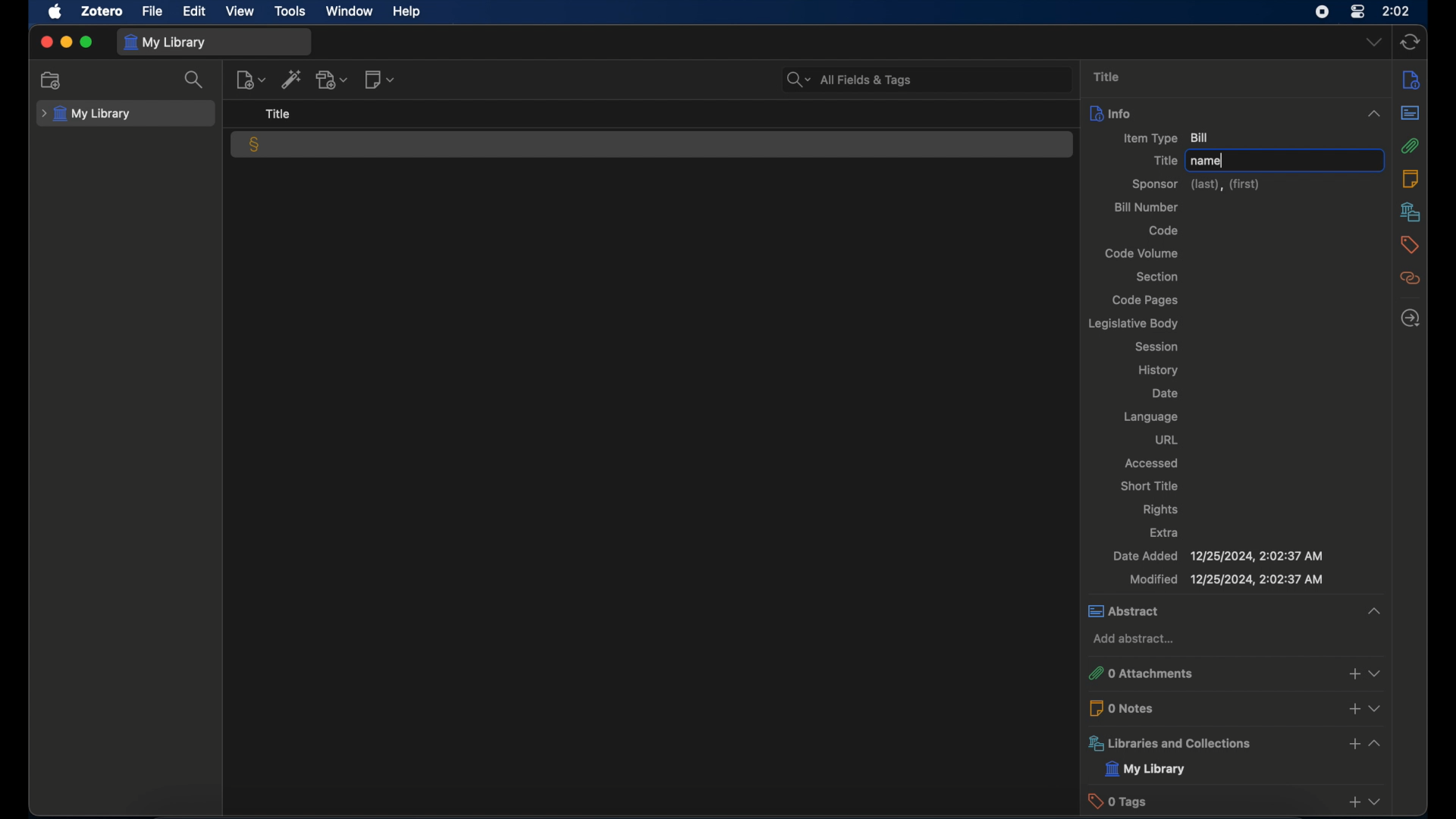 The height and width of the screenshot is (819, 1456). Describe the element at coordinates (849, 80) in the screenshot. I see `search` at that location.